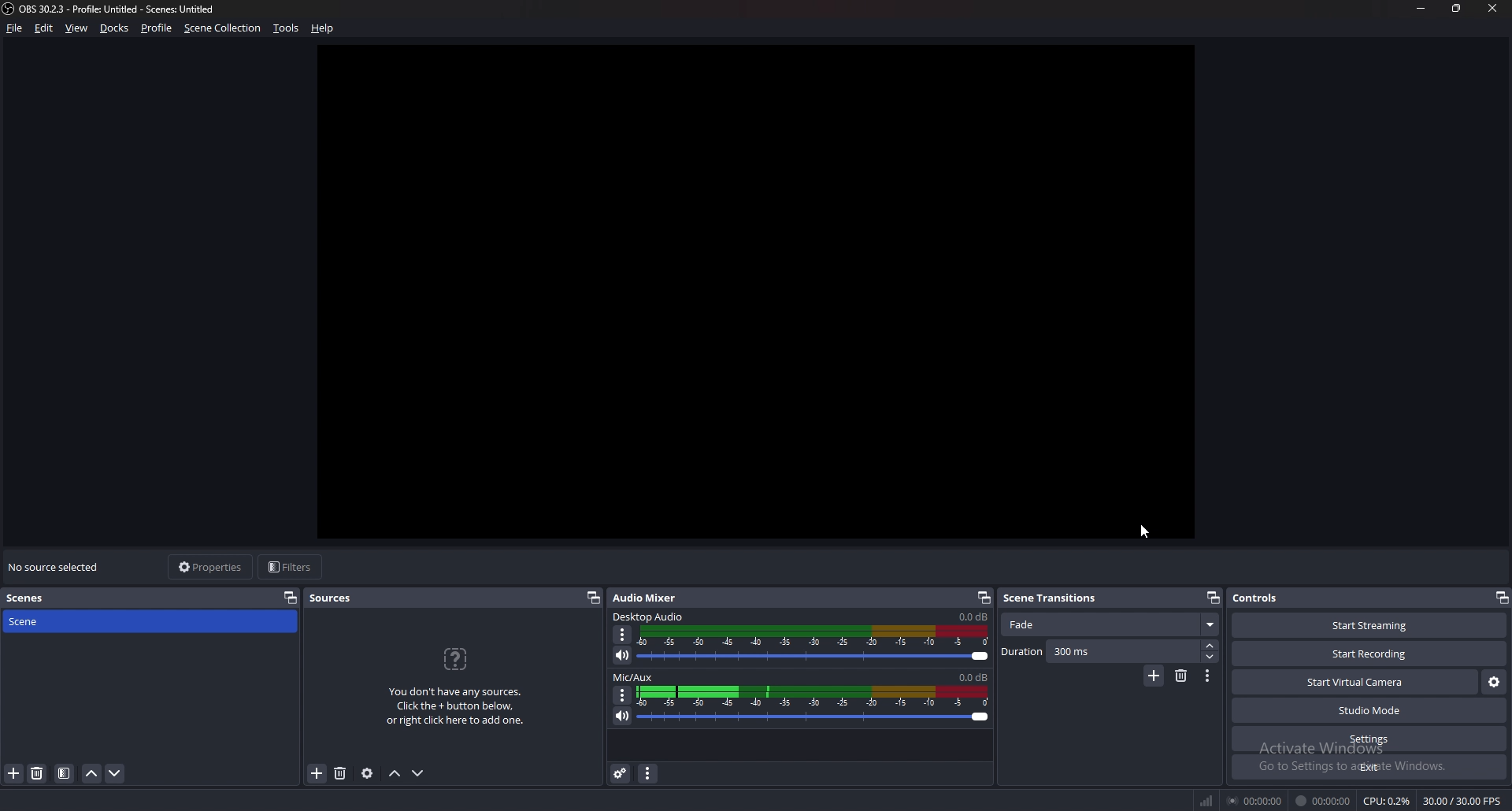  I want to click on fade, so click(1109, 625).